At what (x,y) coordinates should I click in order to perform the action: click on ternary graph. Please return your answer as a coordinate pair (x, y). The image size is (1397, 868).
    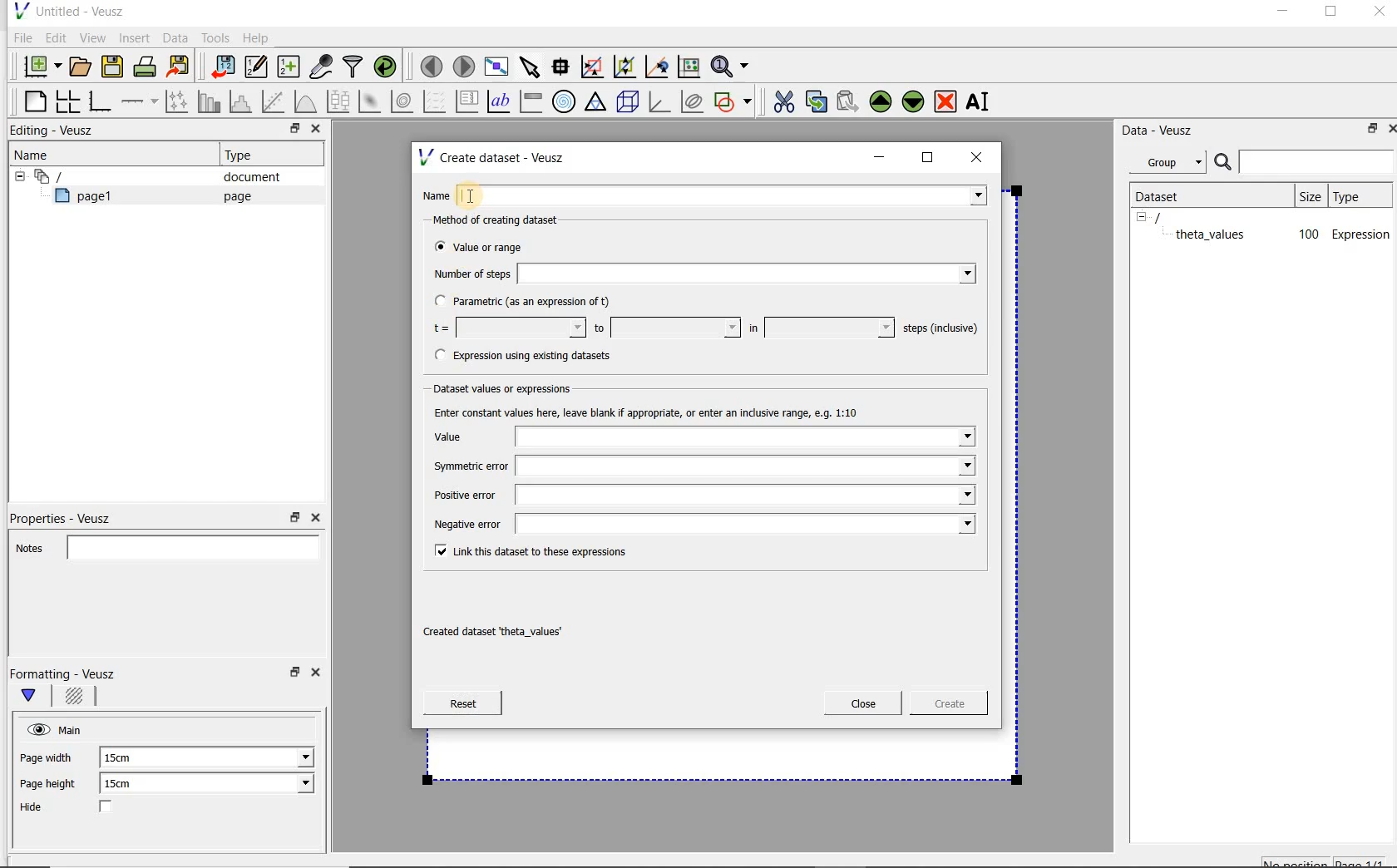
    Looking at the image, I should click on (597, 102).